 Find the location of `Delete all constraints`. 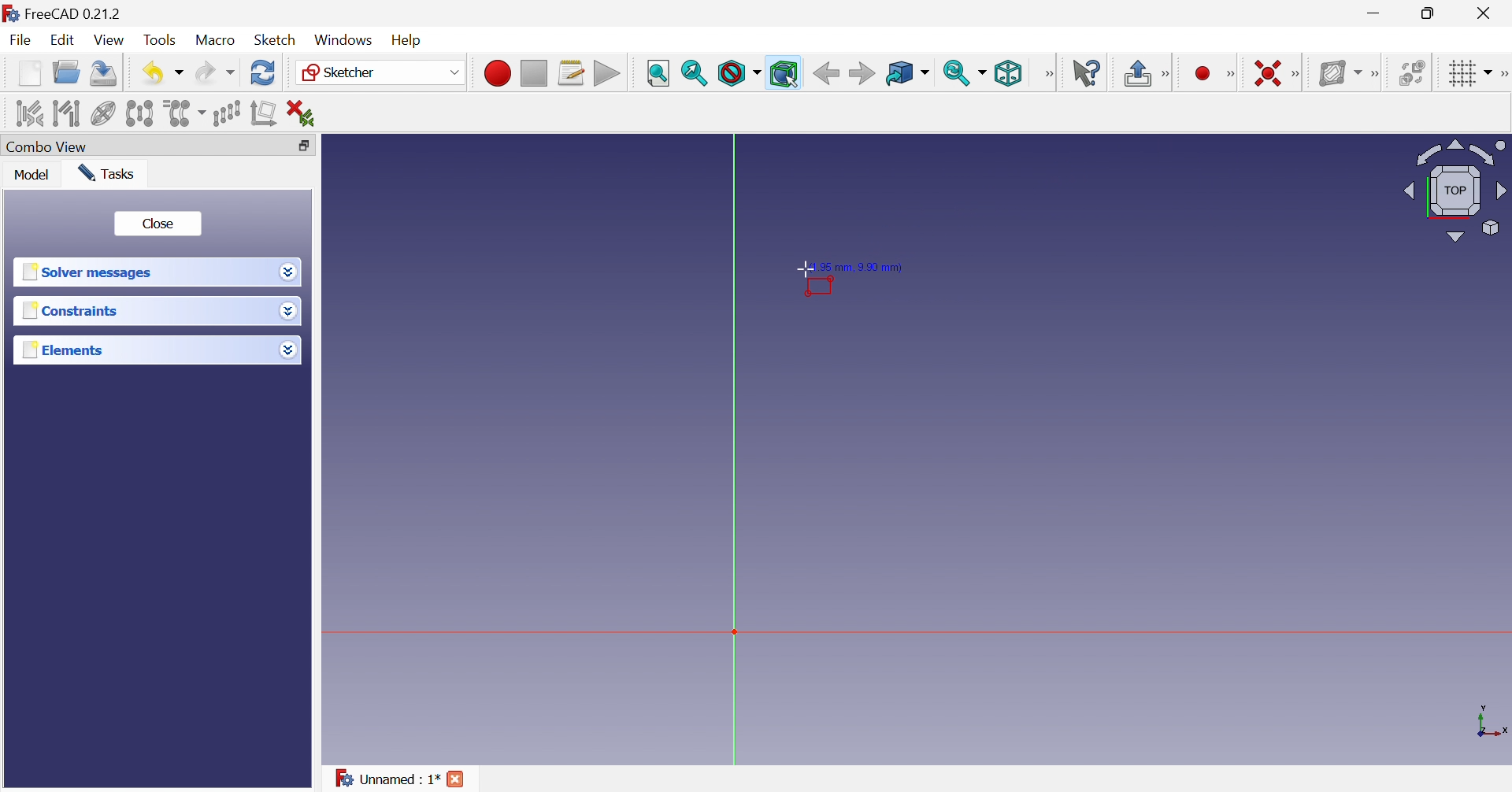

Delete all constraints is located at coordinates (301, 113).